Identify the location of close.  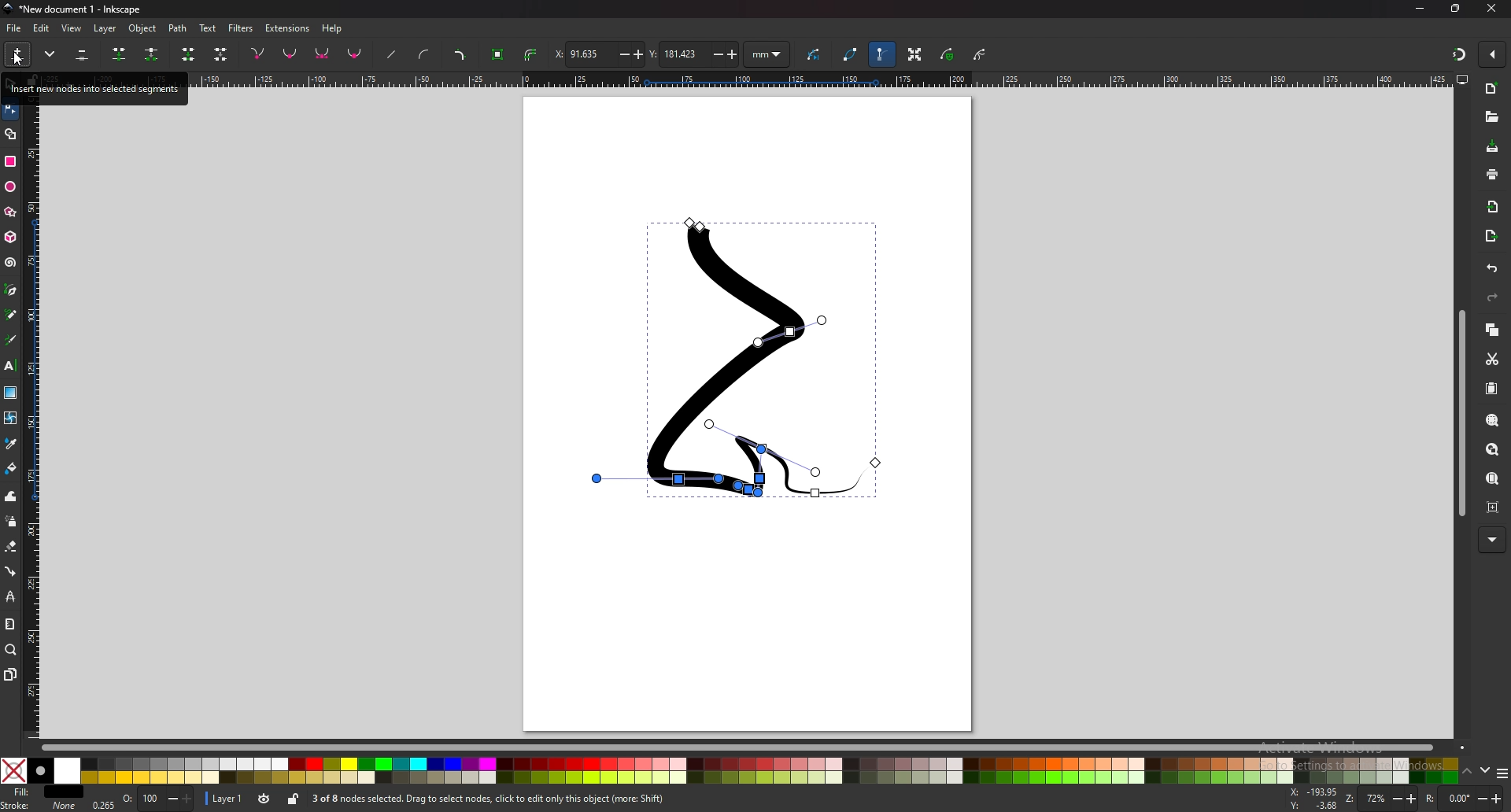
(1491, 9).